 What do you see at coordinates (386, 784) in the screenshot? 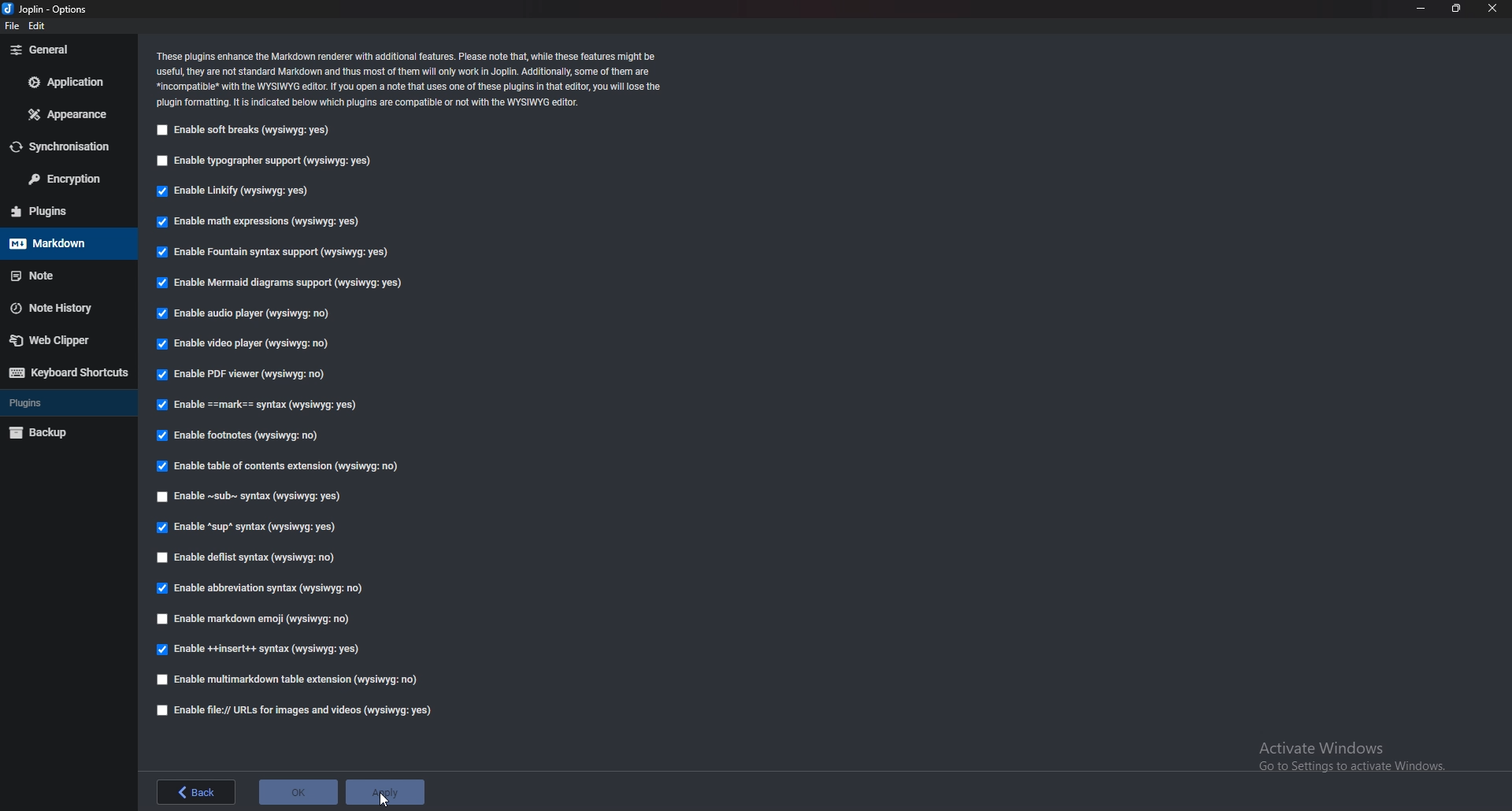
I see `apply` at bounding box center [386, 784].